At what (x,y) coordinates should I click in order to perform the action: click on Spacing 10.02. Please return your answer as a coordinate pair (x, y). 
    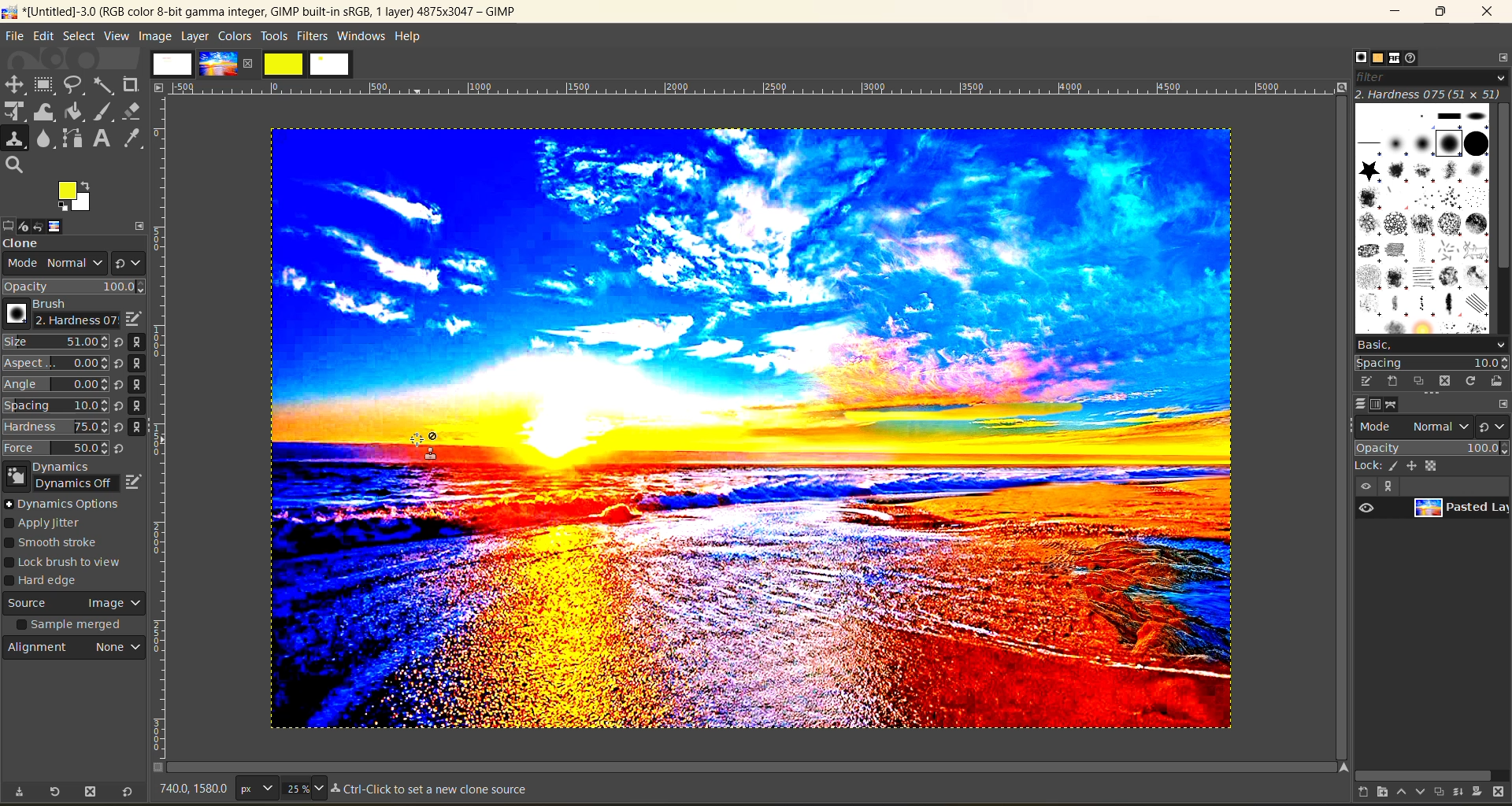
    Looking at the image, I should click on (57, 405).